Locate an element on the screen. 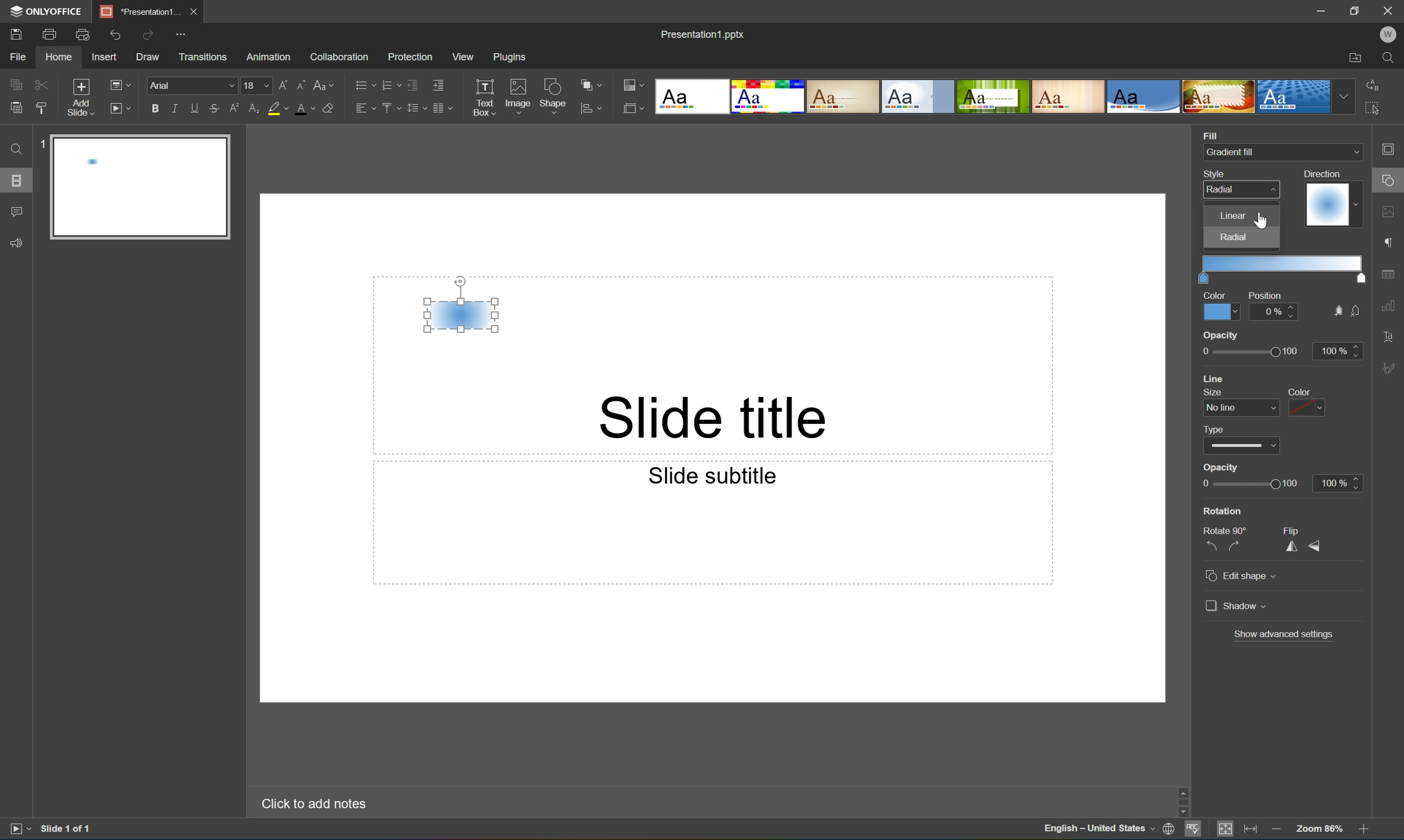 Image resolution: width=1404 pixels, height=840 pixels. Direction is located at coordinates (1321, 173).